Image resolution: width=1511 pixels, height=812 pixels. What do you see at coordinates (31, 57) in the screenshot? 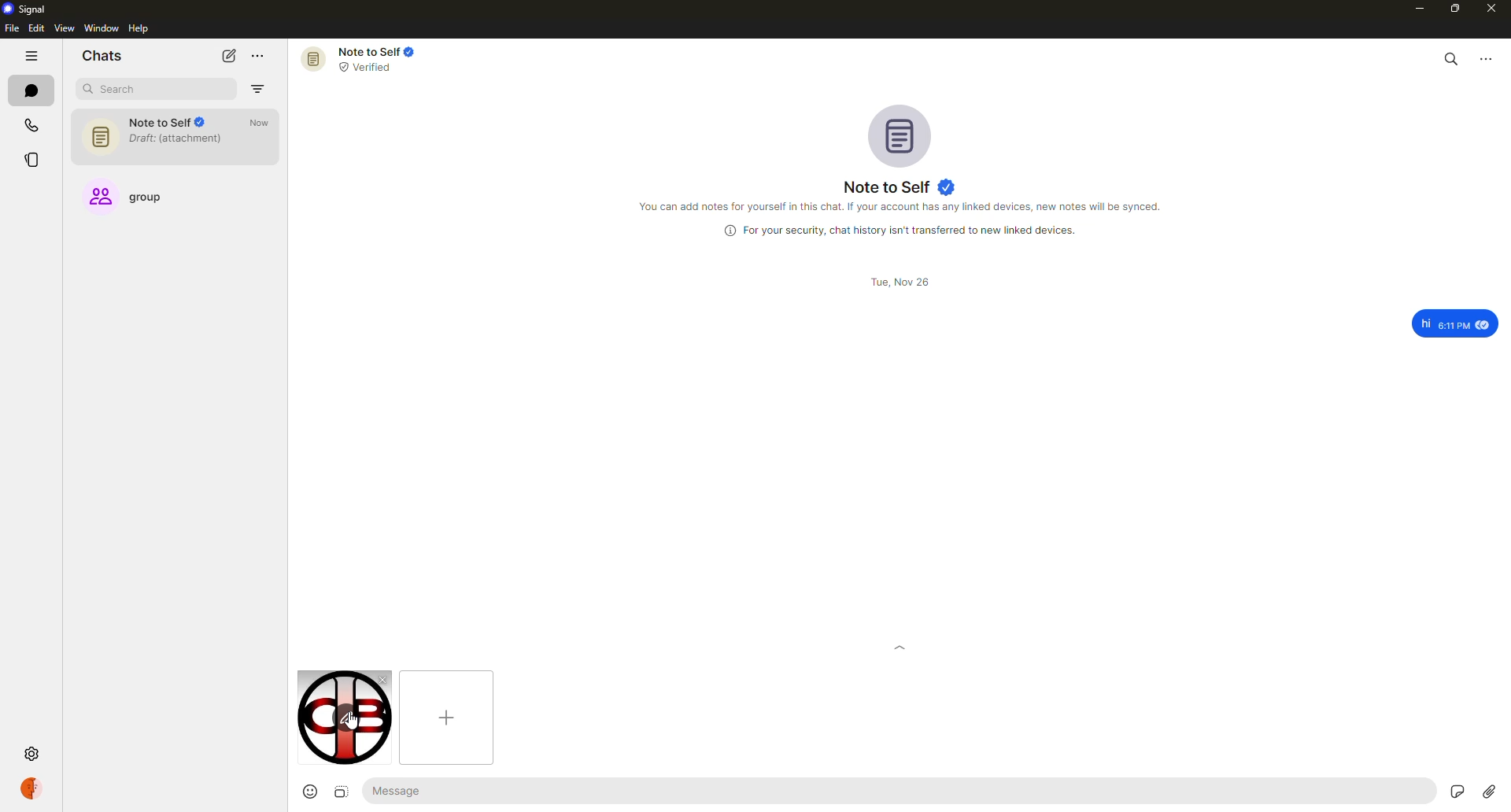
I see `hide tabs` at bounding box center [31, 57].